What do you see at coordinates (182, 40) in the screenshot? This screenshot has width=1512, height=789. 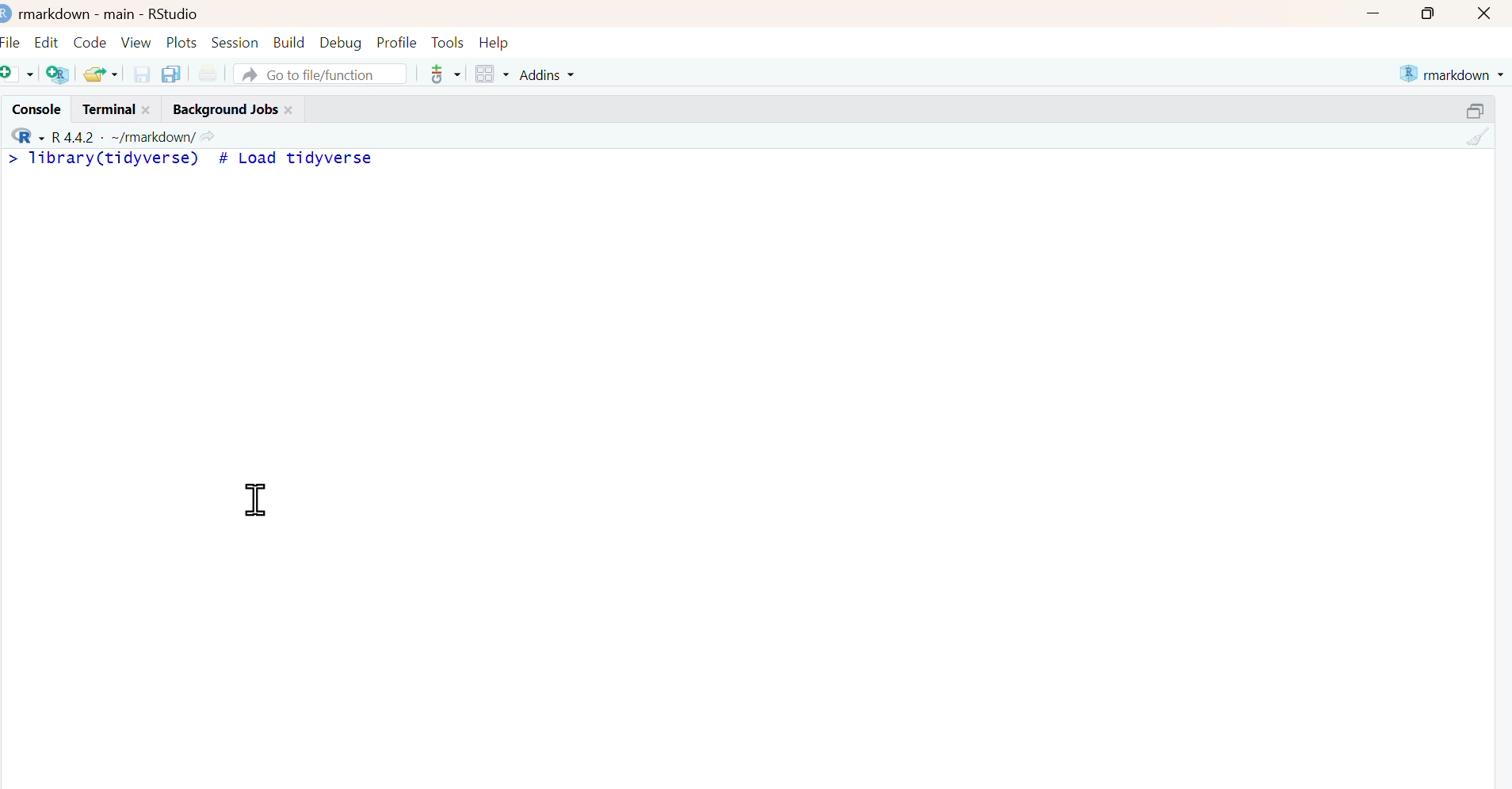 I see `Plots` at bounding box center [182, 40].